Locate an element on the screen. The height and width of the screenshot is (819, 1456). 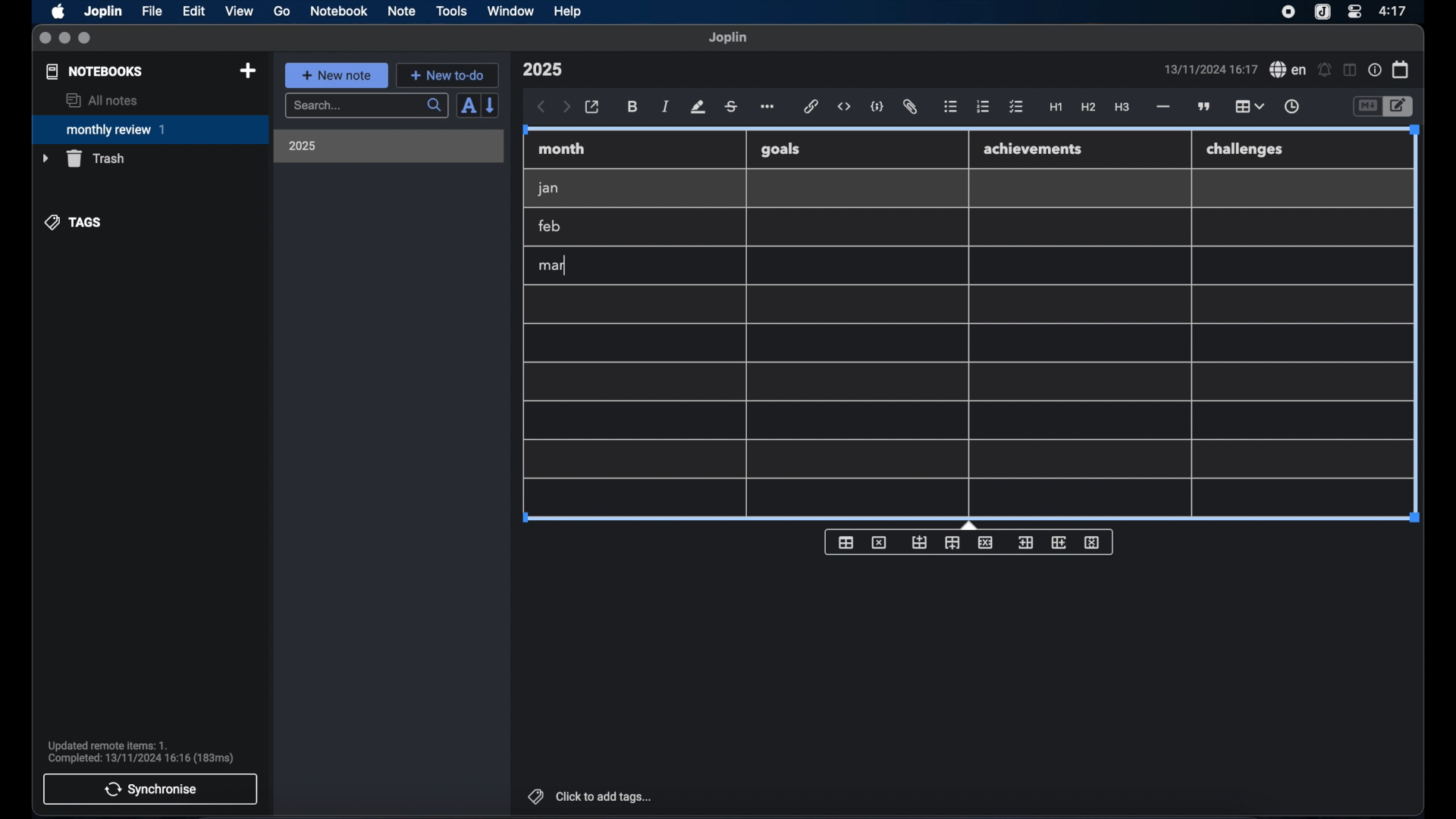
sync notification is located at coordinates (141, 752).